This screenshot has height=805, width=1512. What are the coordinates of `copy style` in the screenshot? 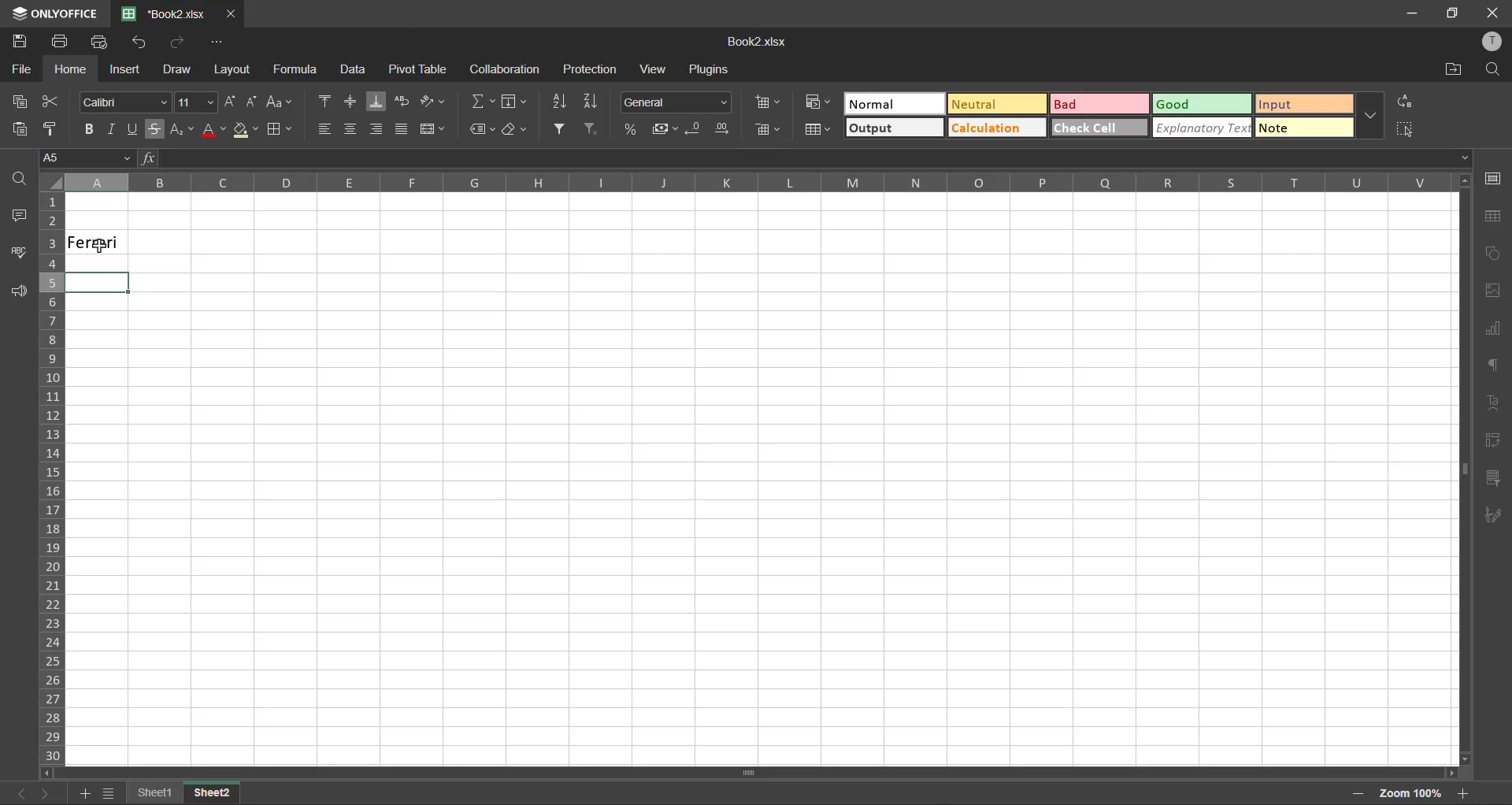 It's located at (52, 131).